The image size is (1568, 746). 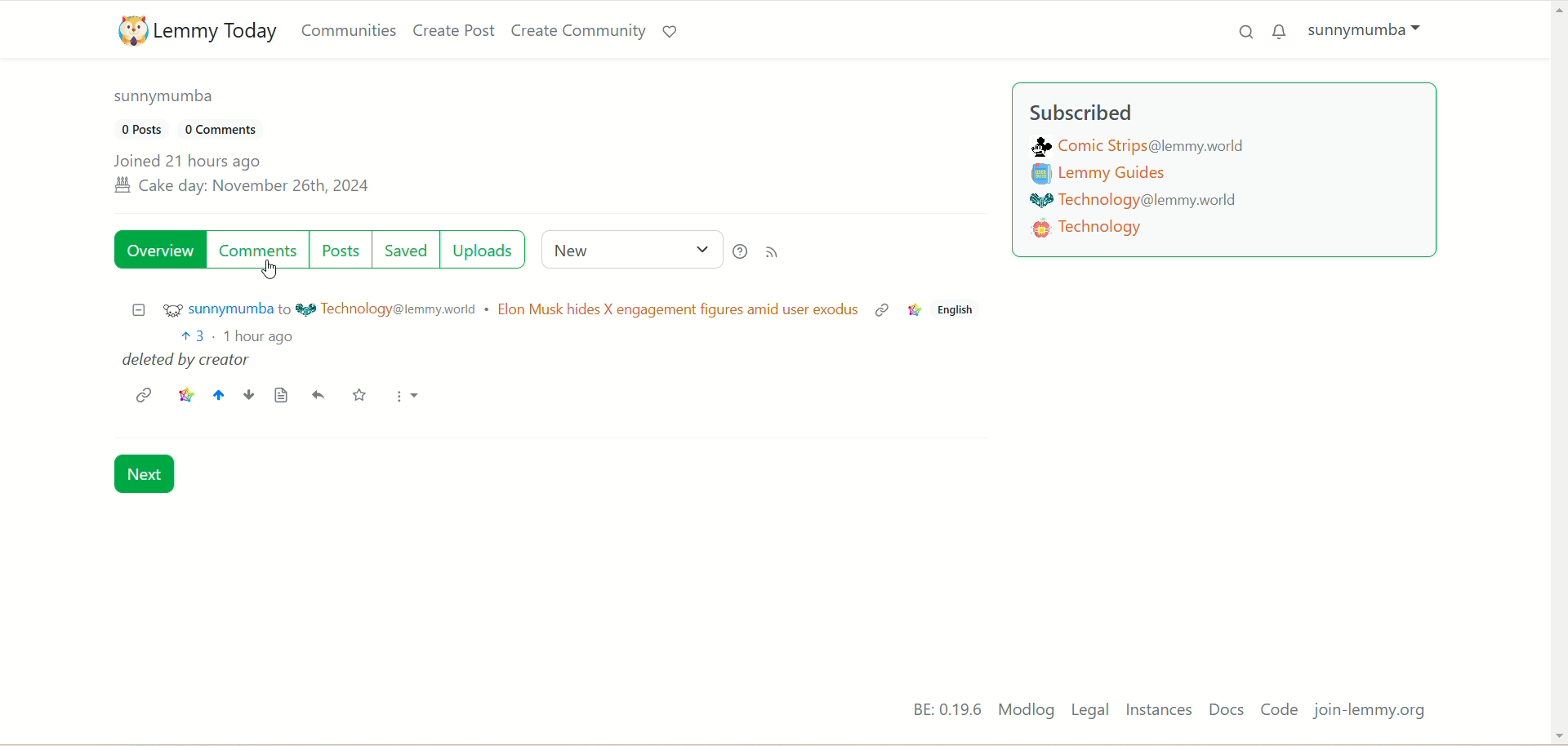 What do you see at coordinates (357, 395) in the screenshot?
I see `save` at bounding box center [357, 395].